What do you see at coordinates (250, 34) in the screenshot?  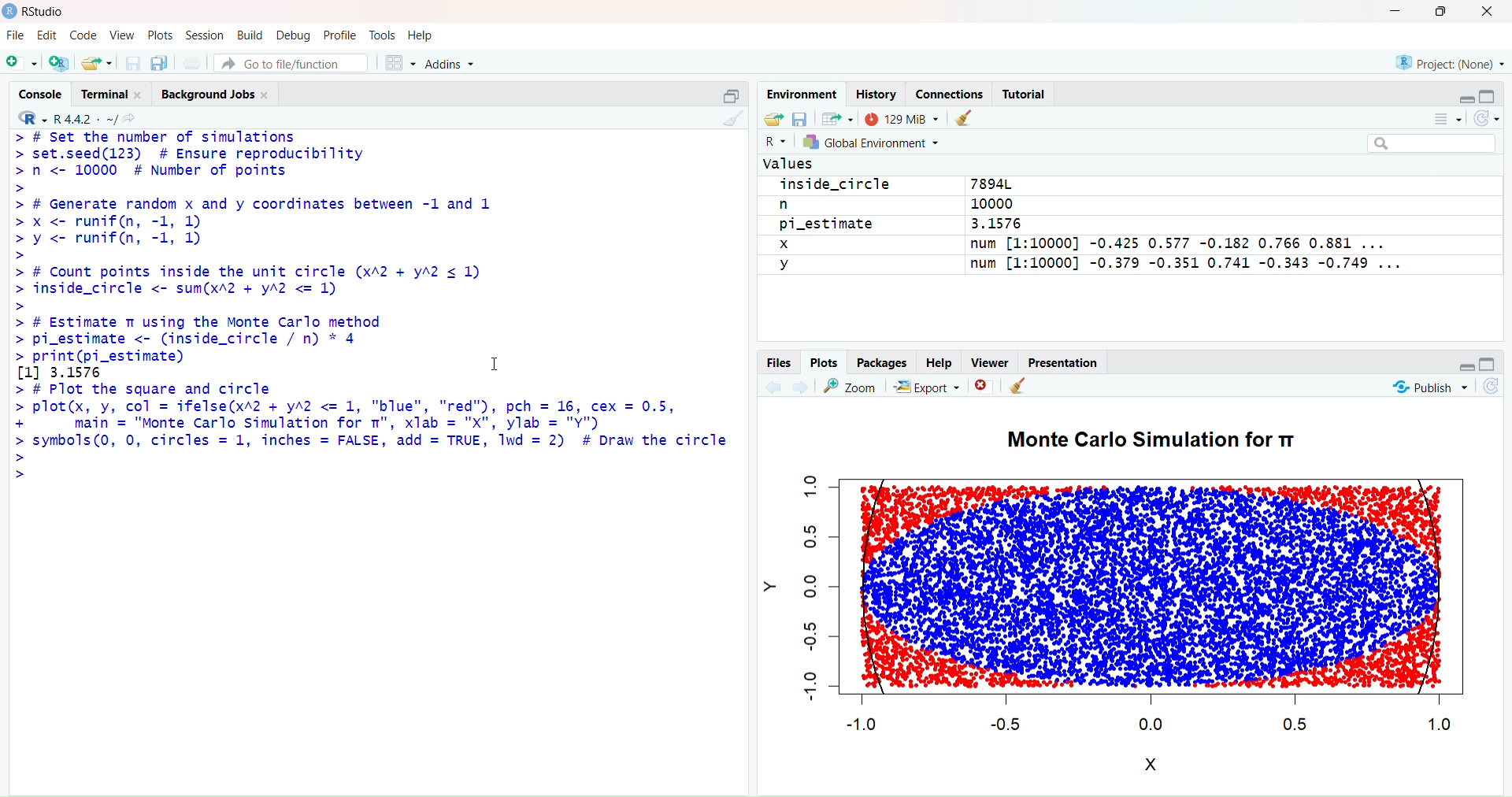 I see `Build` at bounding box center [250, 34].